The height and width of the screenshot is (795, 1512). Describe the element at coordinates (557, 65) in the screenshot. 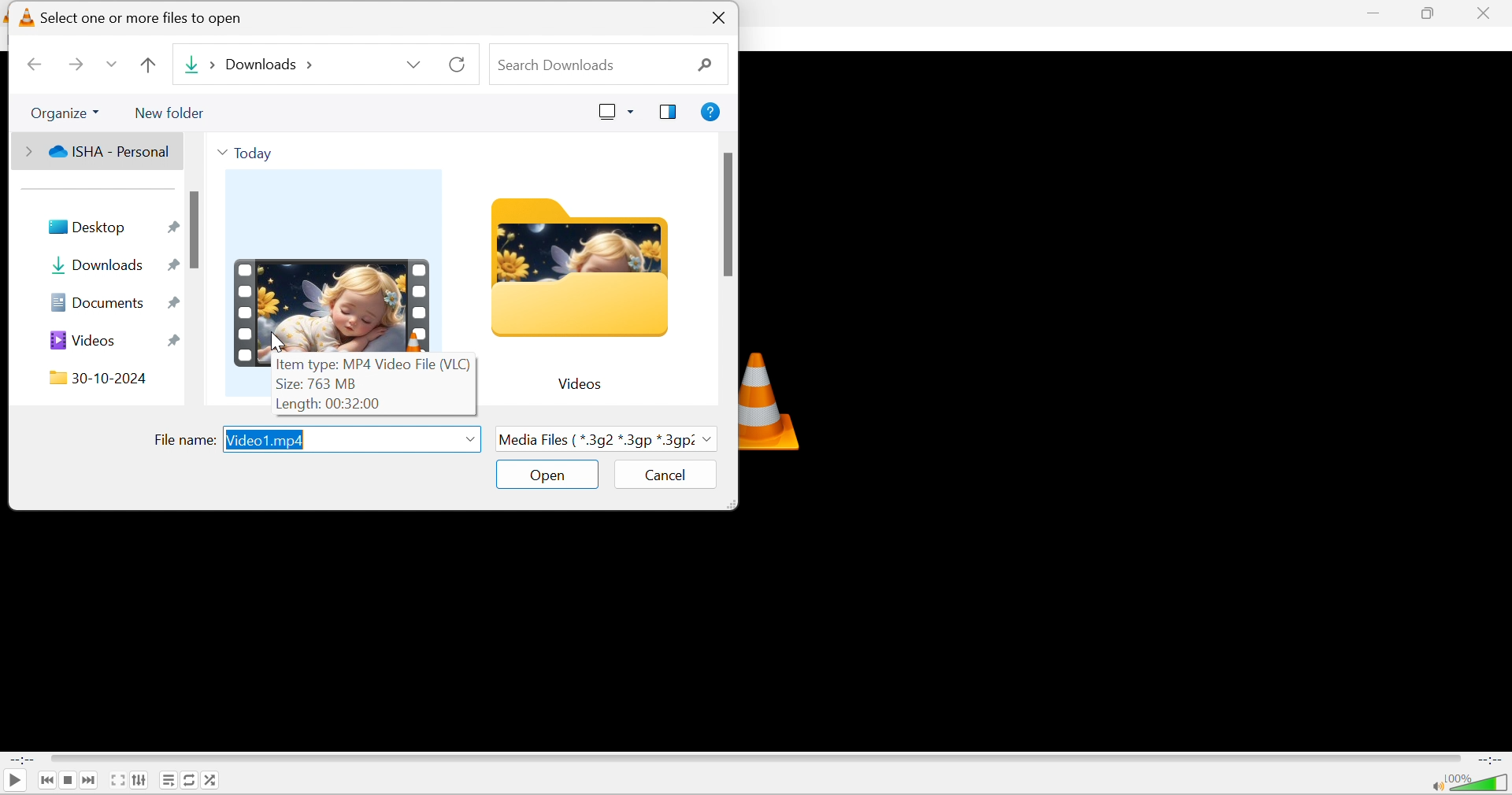

I see `Search downloads` at that location.